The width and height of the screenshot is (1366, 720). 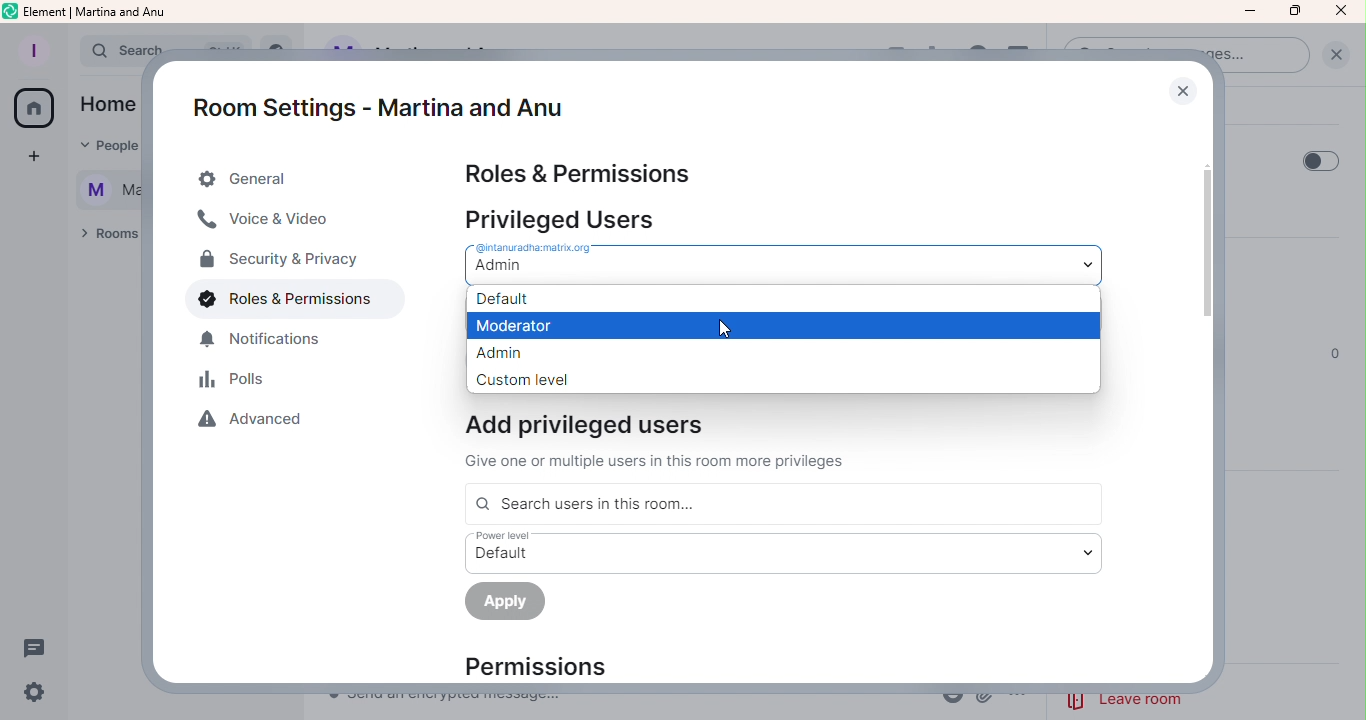 What do you see at coordinates (669, 441) in the screenshot?
I see `Add privileged users` at bounding box center [669, 441].